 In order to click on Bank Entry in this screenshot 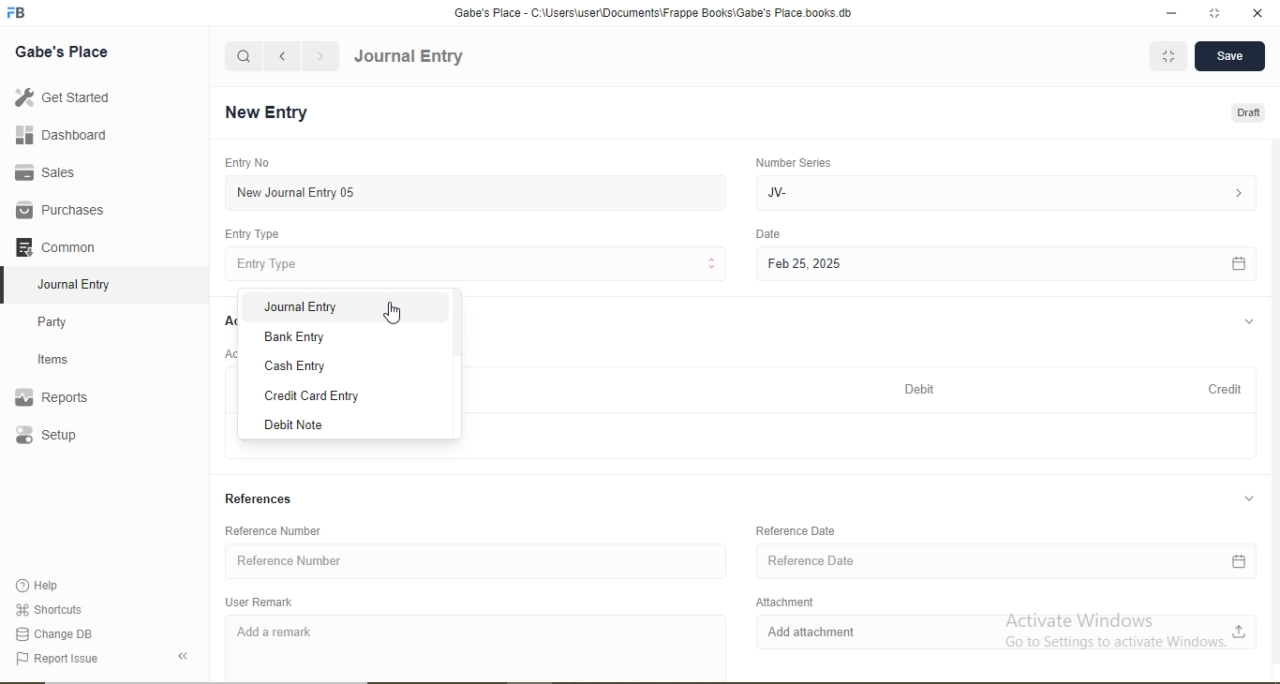, I will do `click(339, 336)`.